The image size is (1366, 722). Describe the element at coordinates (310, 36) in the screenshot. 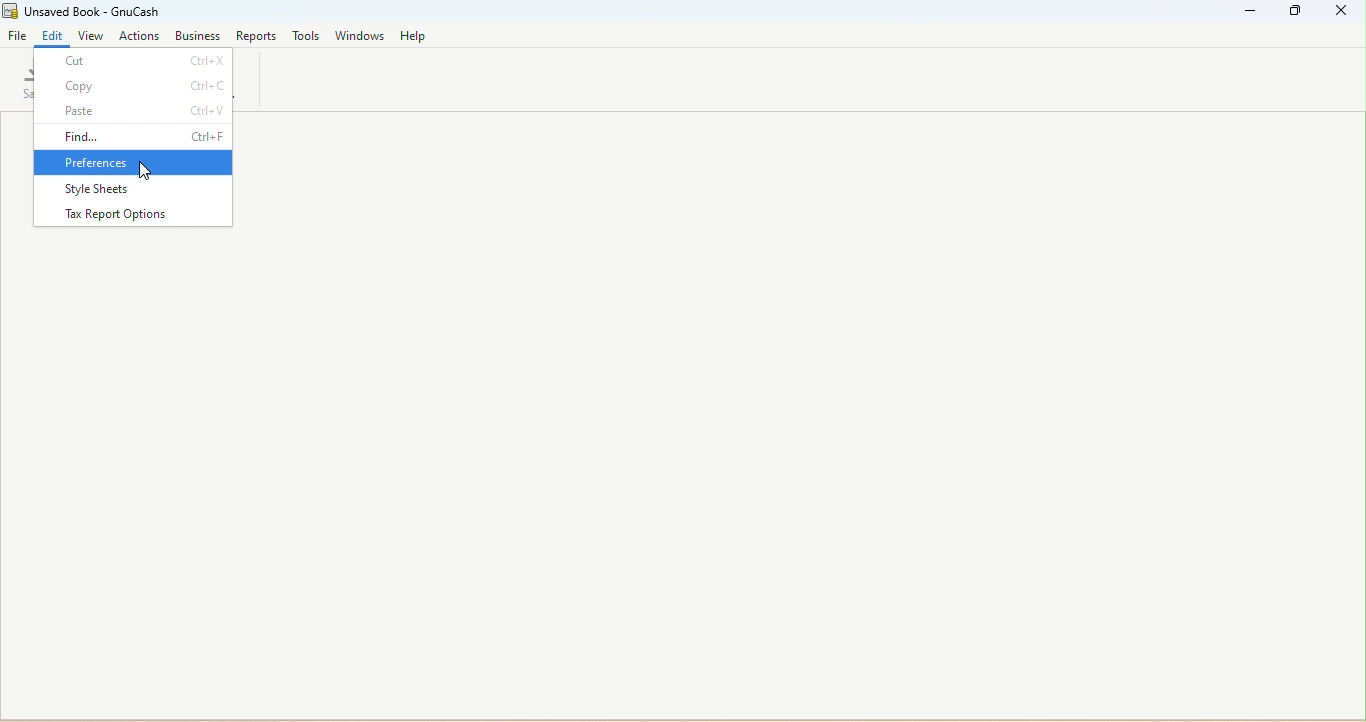

I see `Tools` at that location.